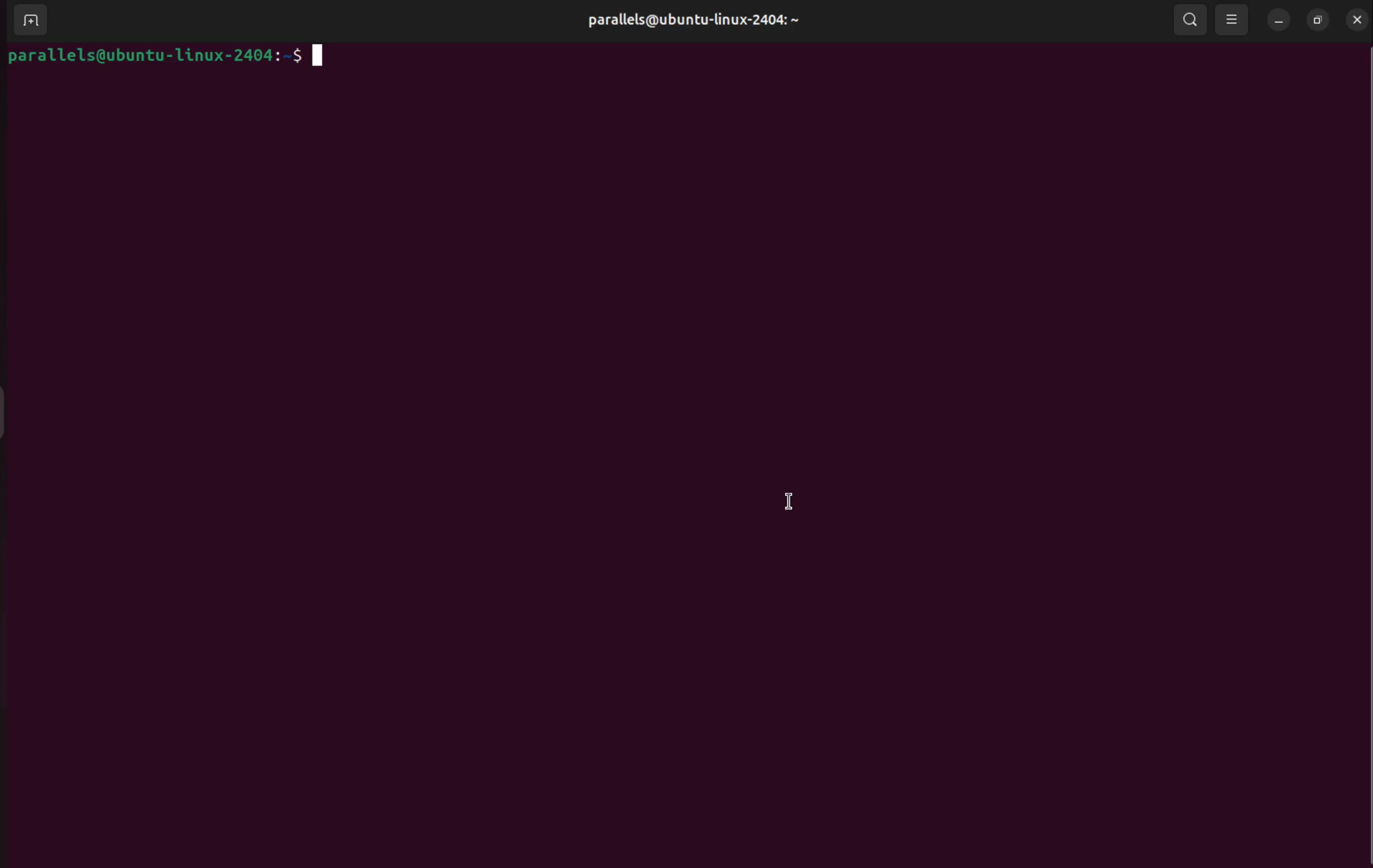  I want to click on search, so click(1186, 19).